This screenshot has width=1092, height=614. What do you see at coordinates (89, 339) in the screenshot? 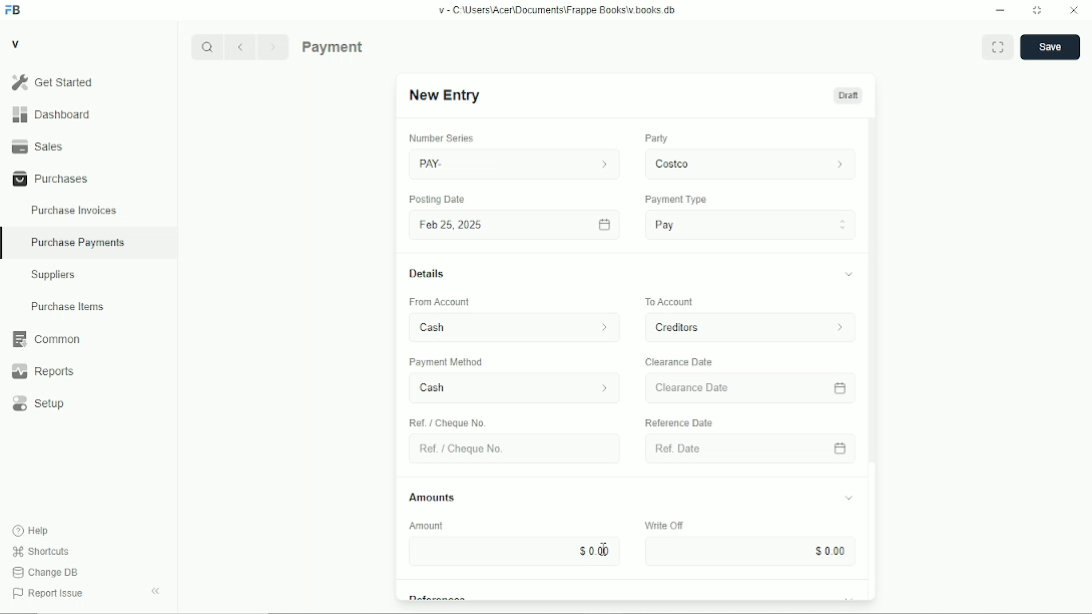
I see `Common` at bounding box center [89, 339].